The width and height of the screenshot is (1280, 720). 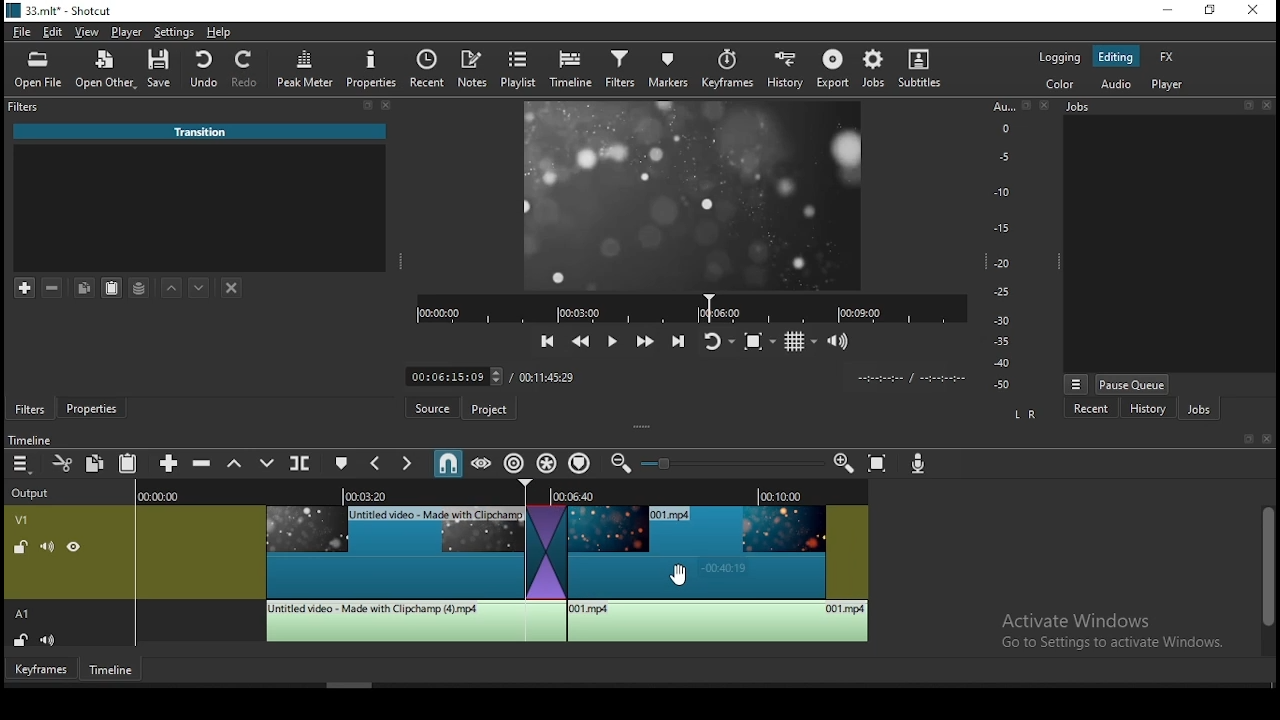 I want to click on (un)mute, so click(x=52, y=640).